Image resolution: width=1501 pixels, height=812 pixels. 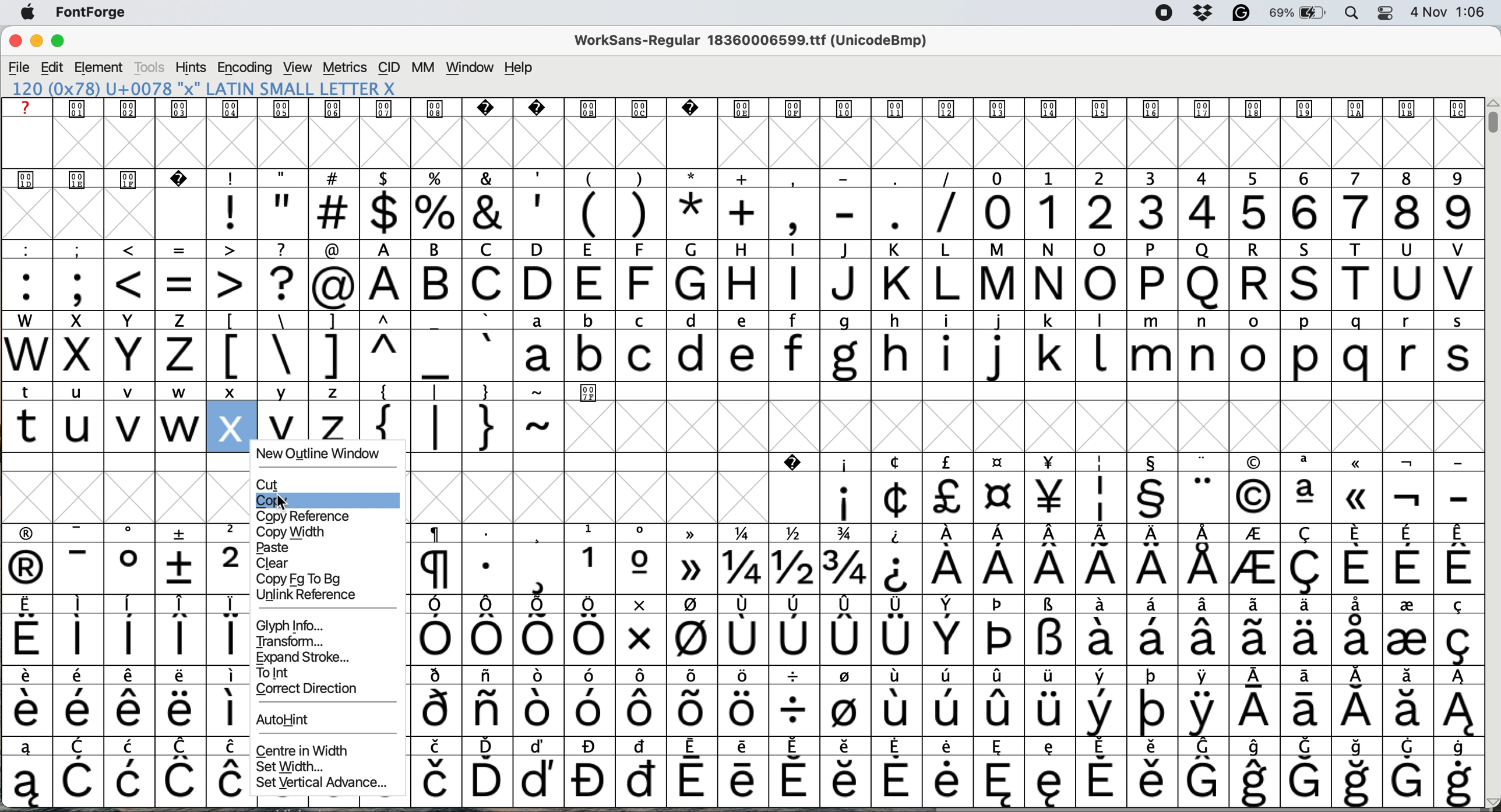 I want to click on special characters, so click(x=953, y=744).